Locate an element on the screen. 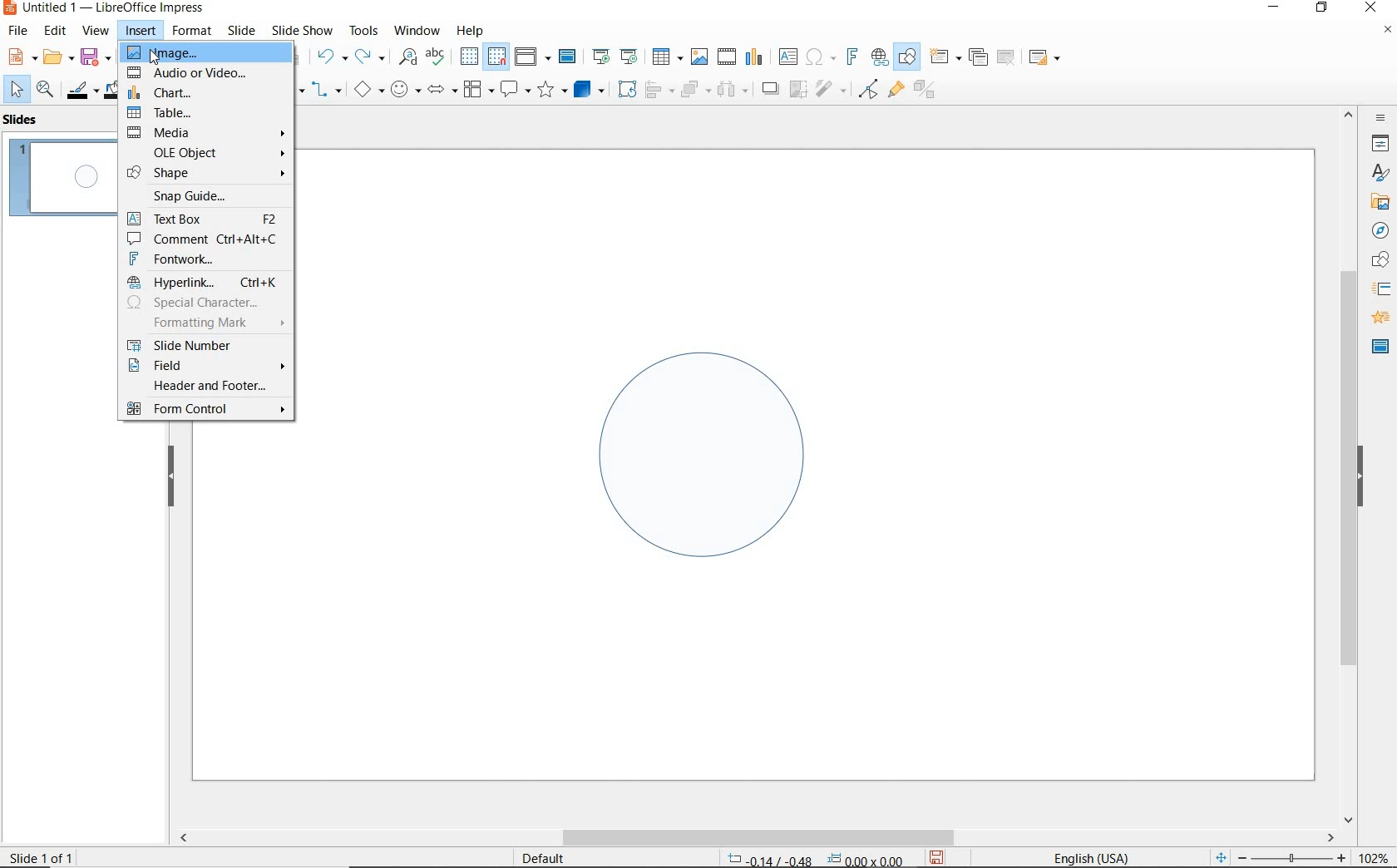  FONTWORK is located at coordinates (205, 259).